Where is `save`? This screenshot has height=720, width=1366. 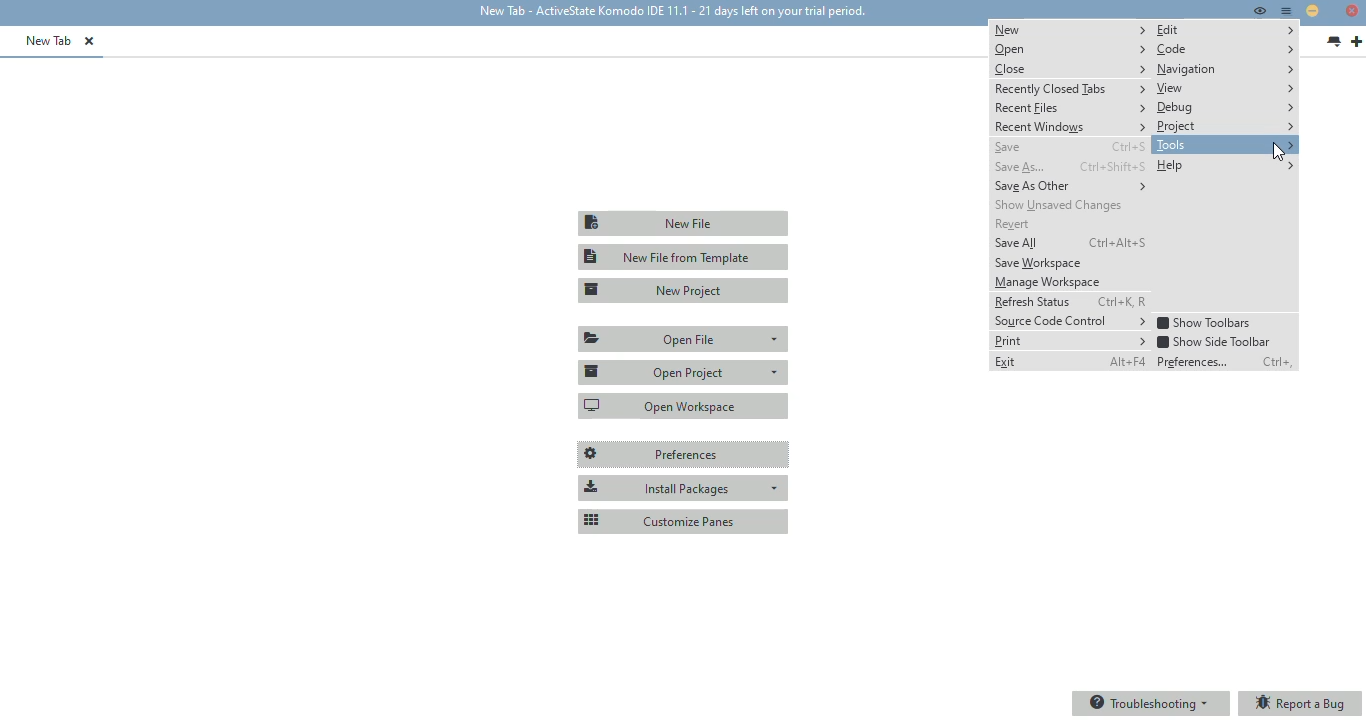
save is located at coordinates (1007, 148).